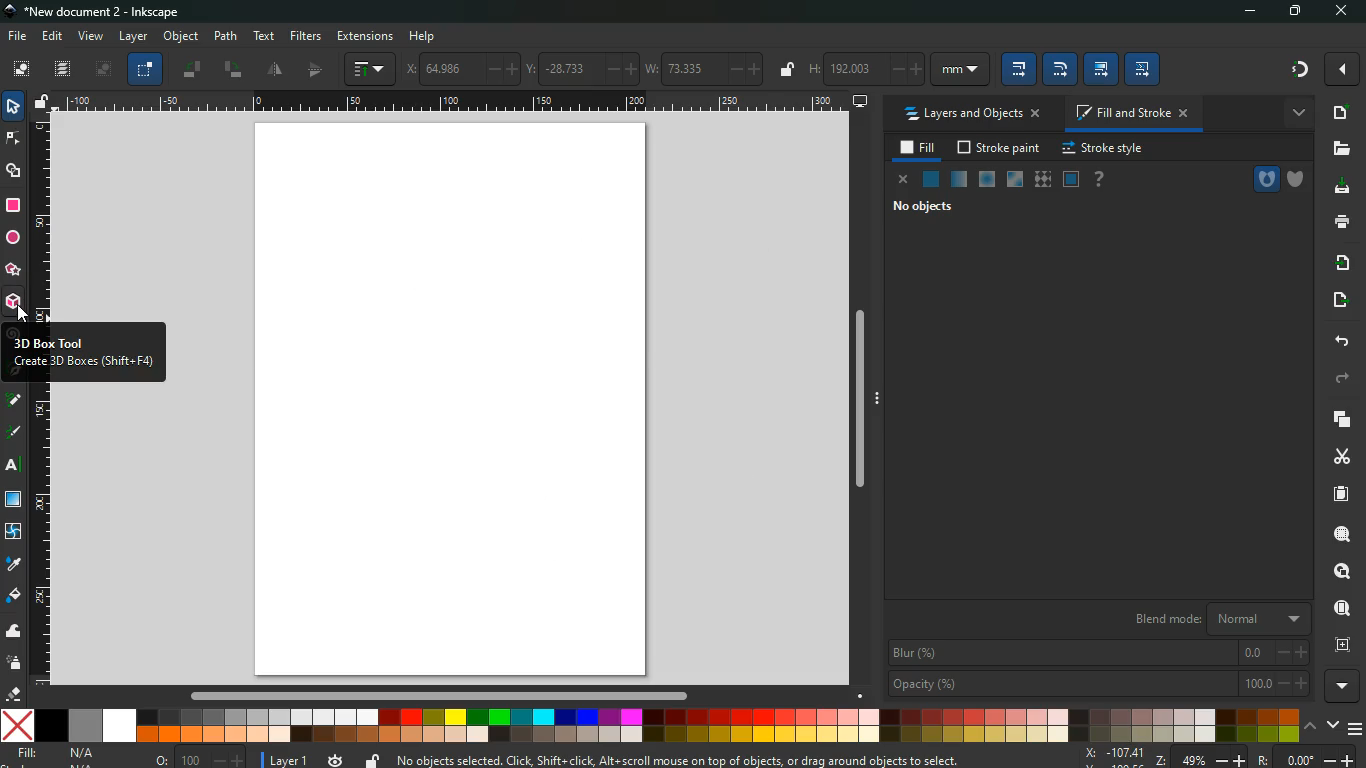  What do you see at coordinates (861, 101) in the screenshot?
I see `desktop` at bounding box center [861, 101].